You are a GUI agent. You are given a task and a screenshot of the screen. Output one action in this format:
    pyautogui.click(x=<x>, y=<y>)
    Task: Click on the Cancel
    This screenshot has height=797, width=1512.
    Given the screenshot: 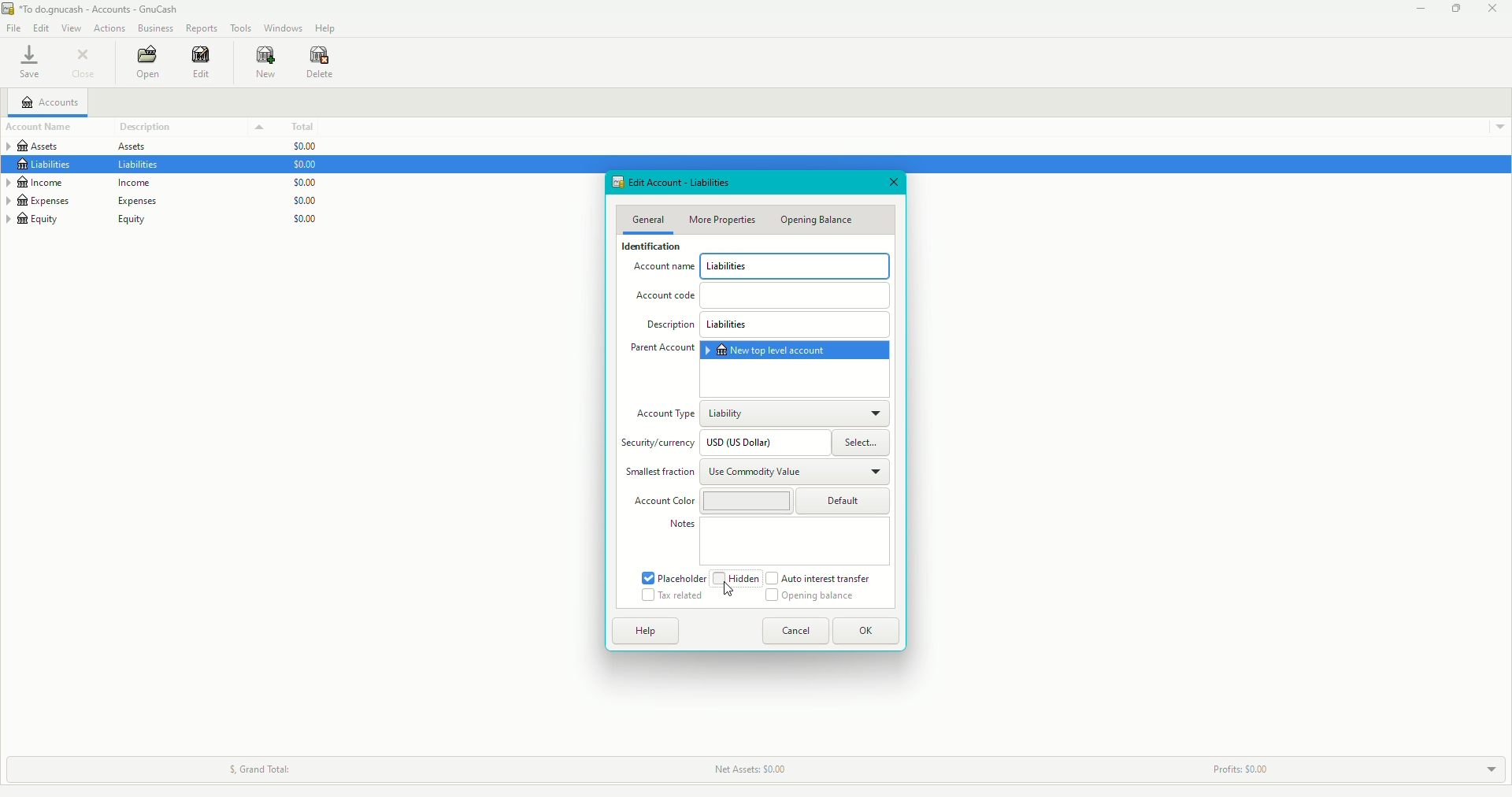 What is the action you would take?
    pyautogui.click(x=795, y=632)
    